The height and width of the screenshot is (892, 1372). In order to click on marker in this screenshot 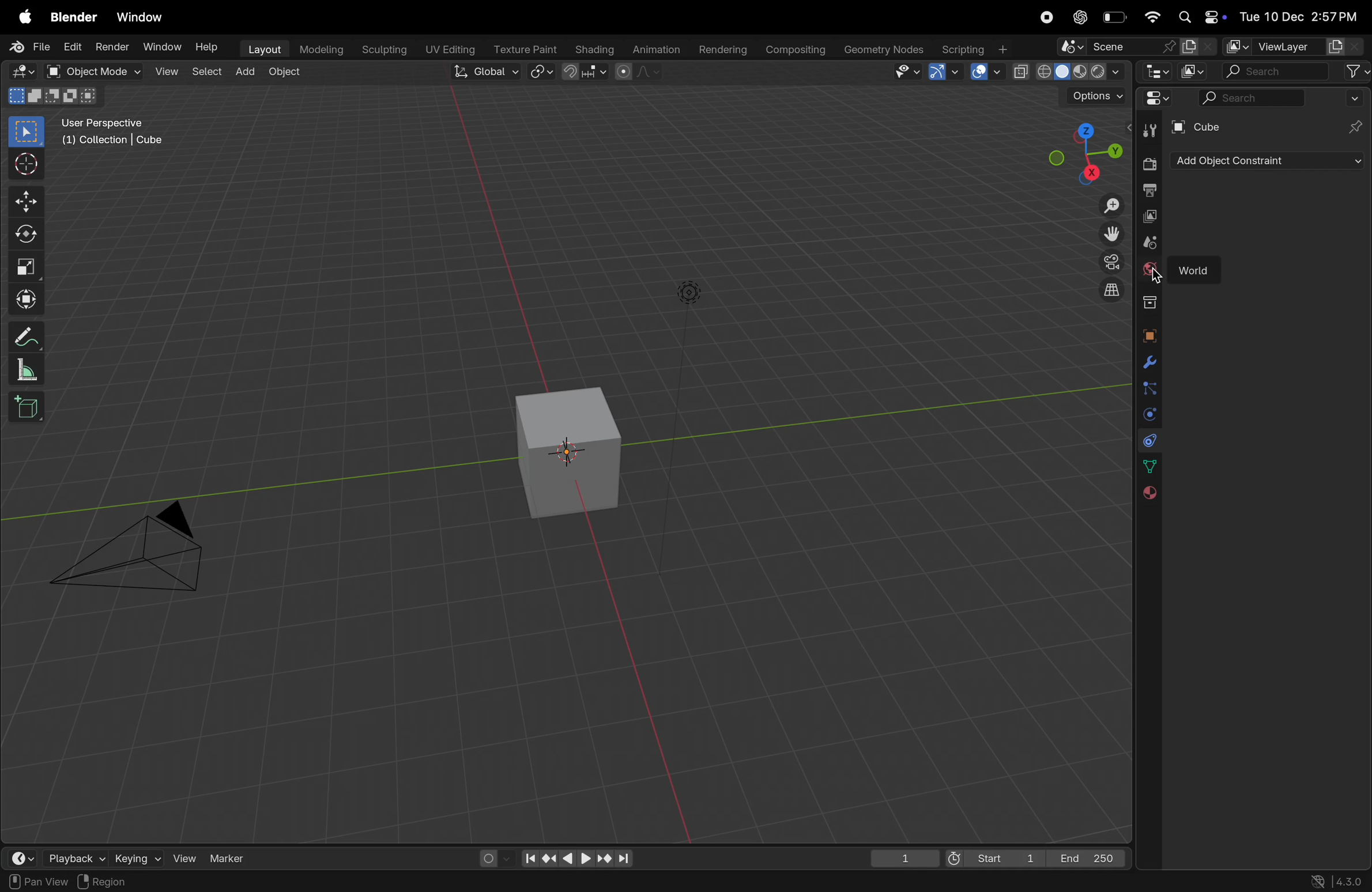, I will do `click(228, 857)`.